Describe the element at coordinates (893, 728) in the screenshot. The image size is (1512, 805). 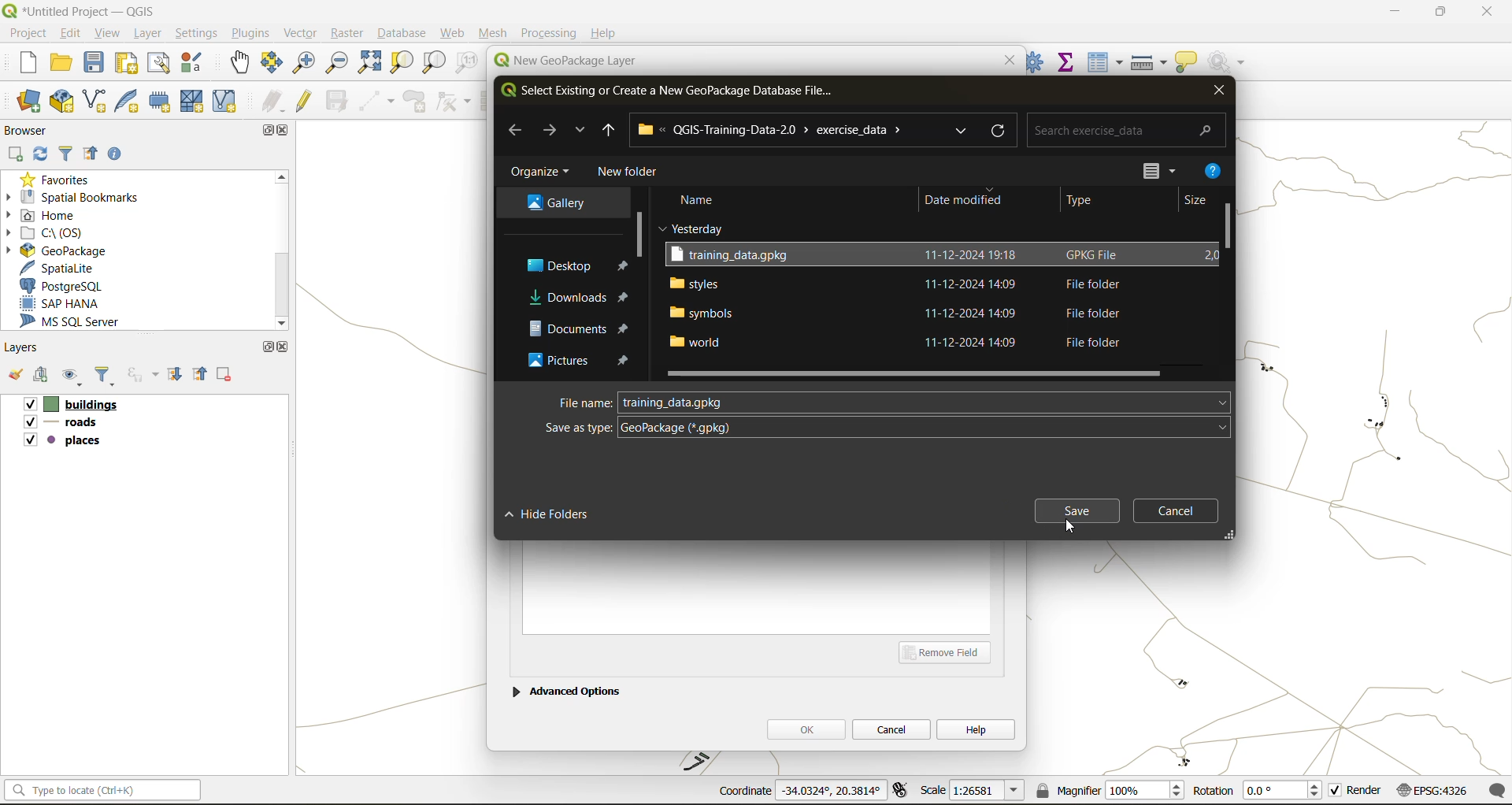
I see `cancel` at that location.